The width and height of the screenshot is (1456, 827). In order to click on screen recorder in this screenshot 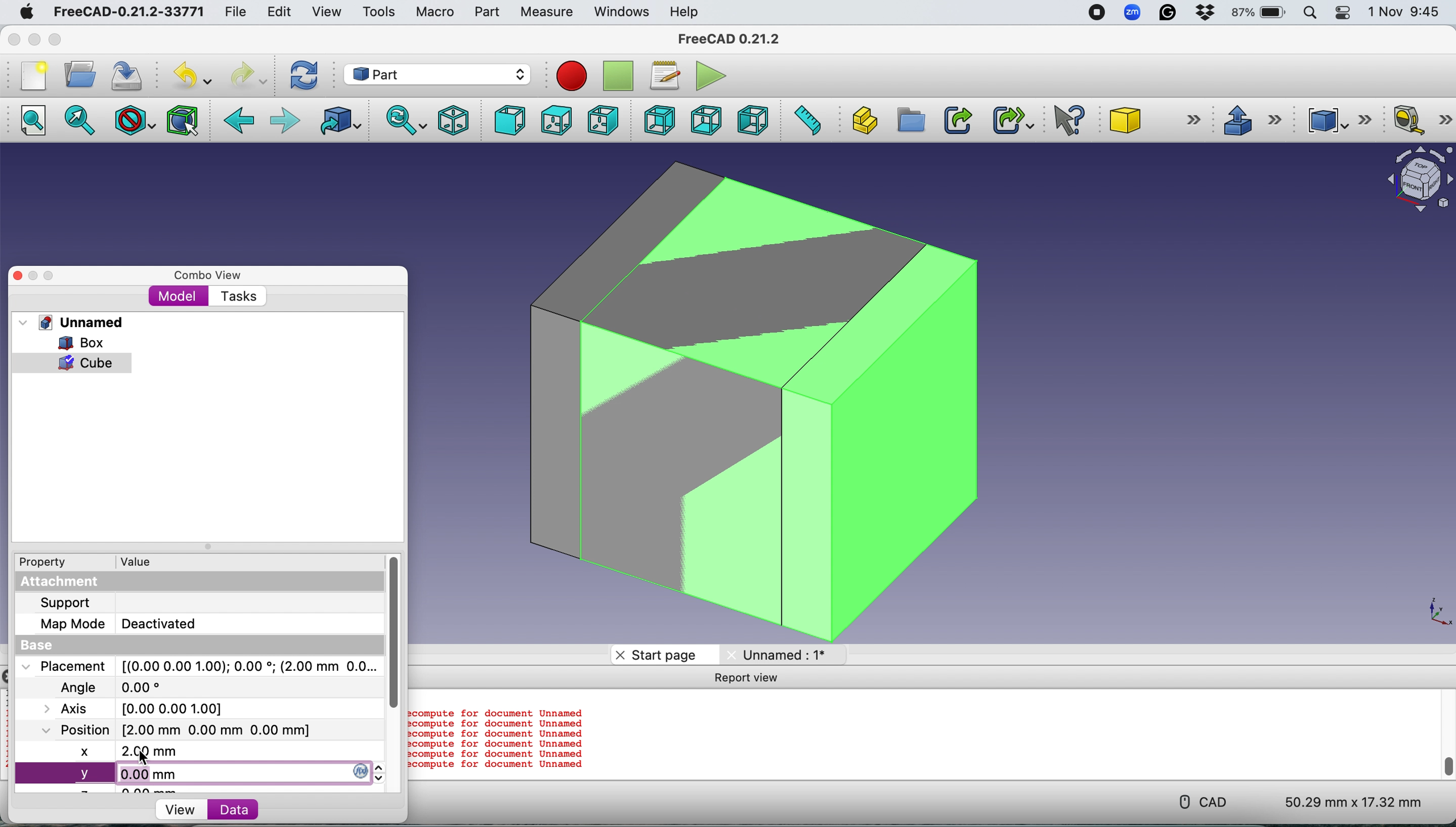, I will do `click(1095, 13)`.